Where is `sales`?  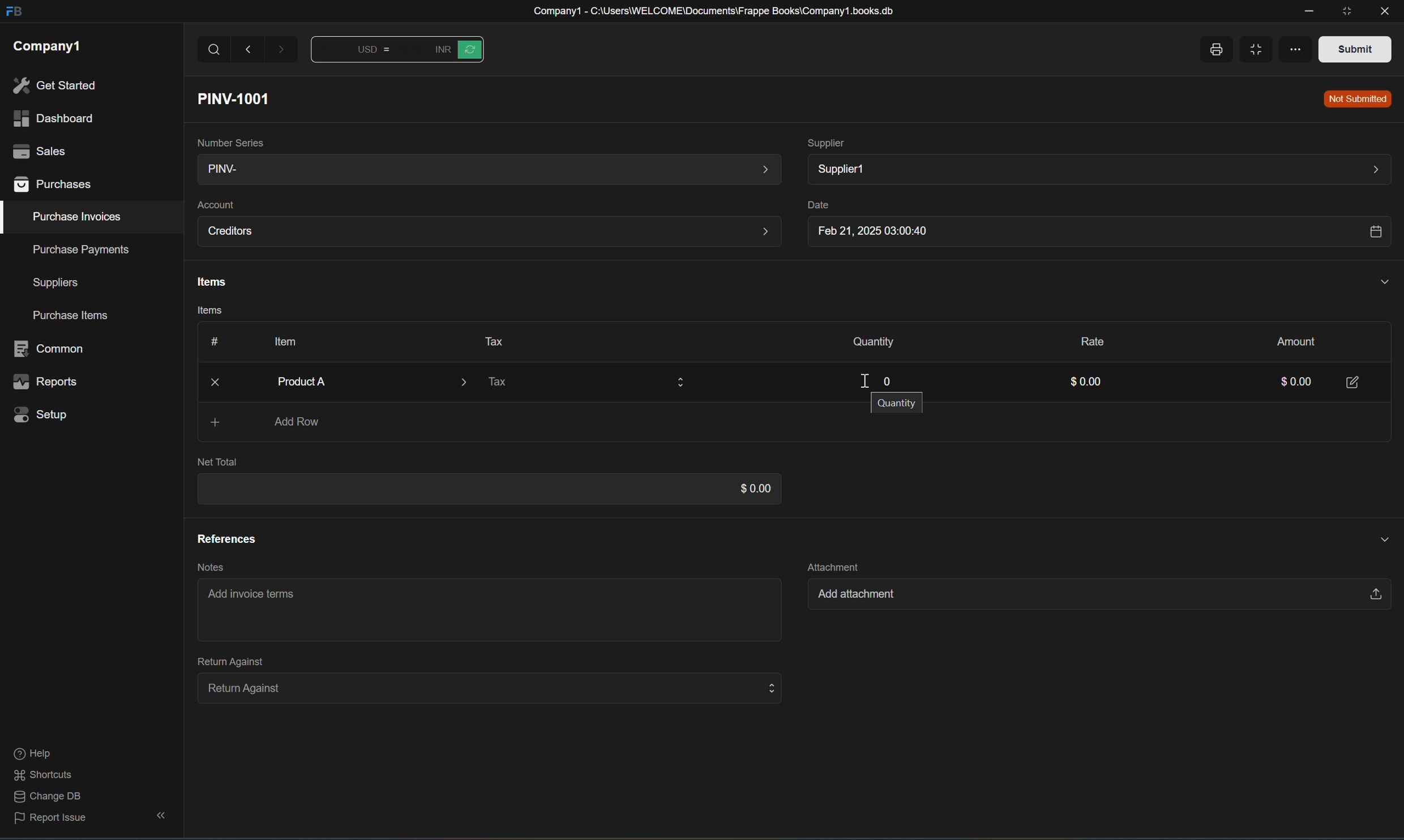
sales is located at coordinates (37, 149).